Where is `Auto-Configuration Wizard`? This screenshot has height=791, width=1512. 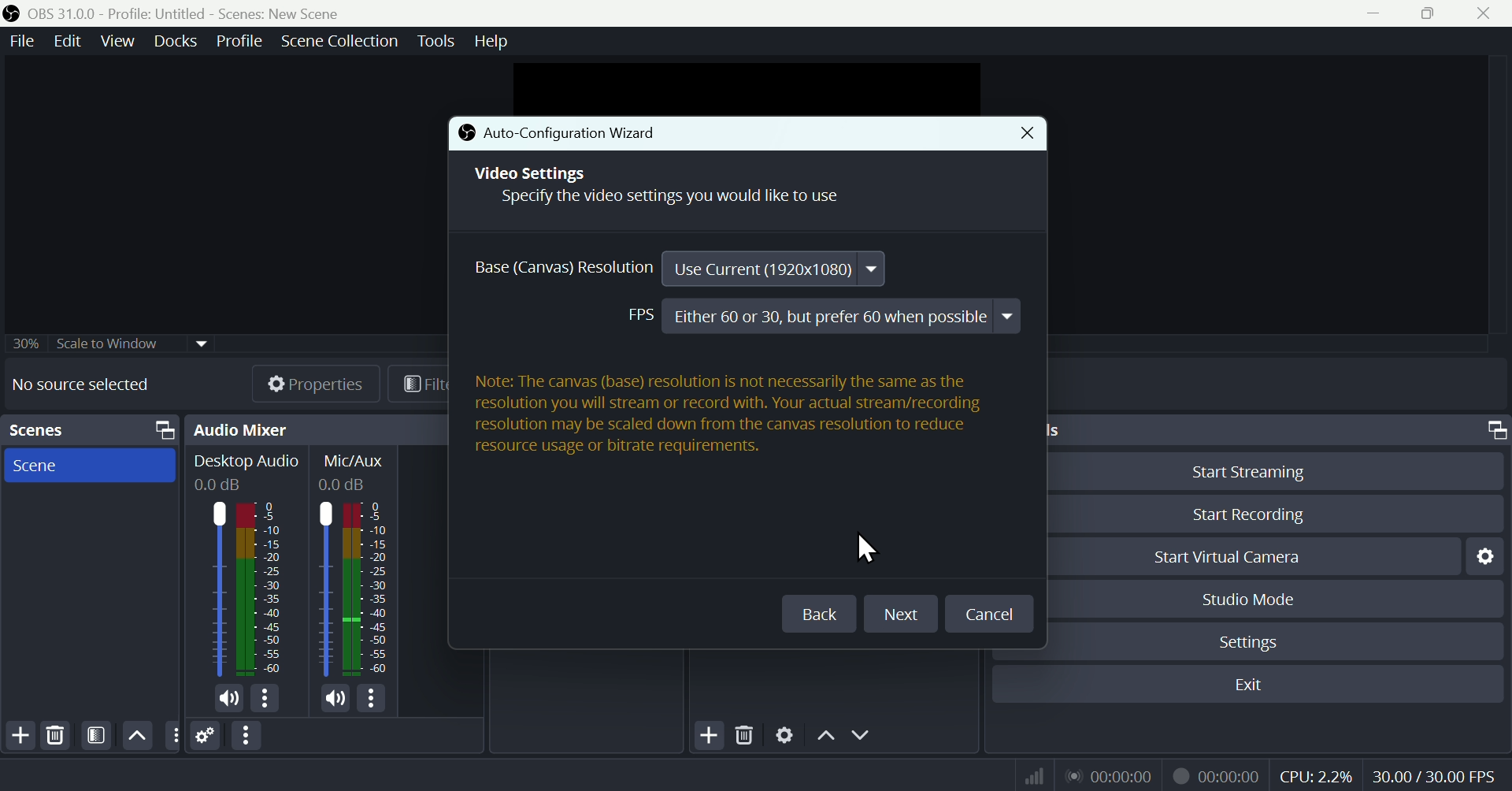
Auto-Configuration Wizard is located at coordinates (601, 134).